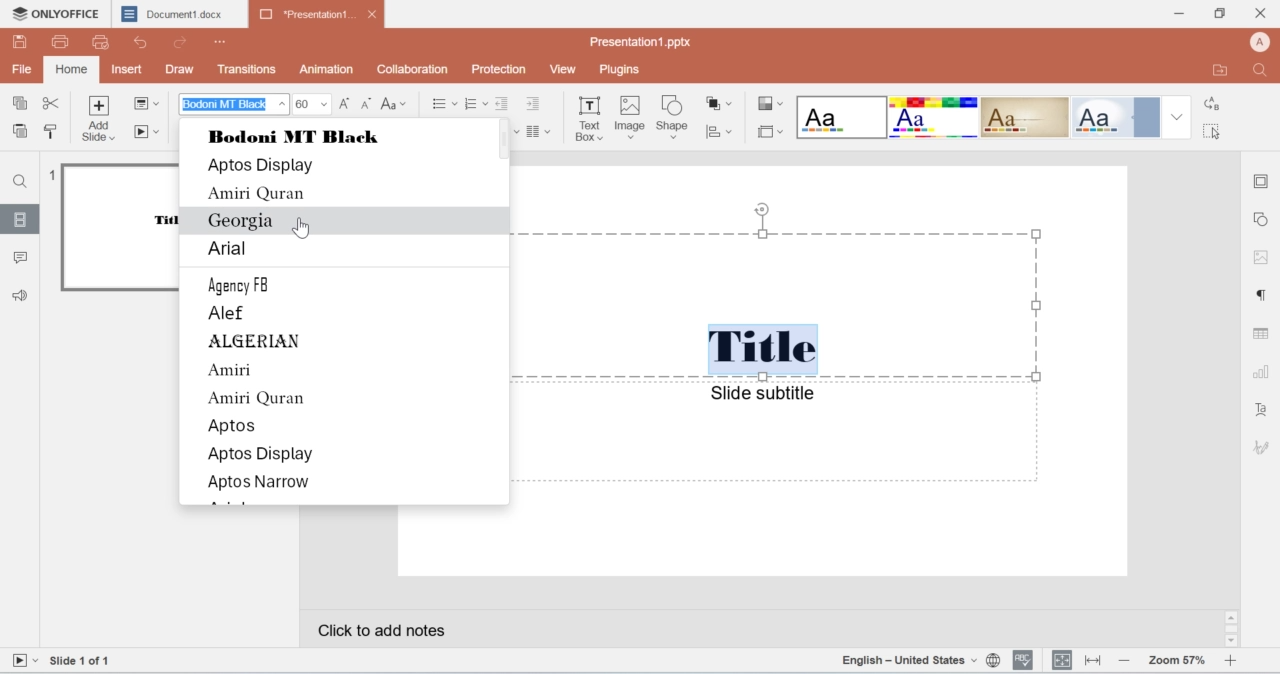  What do you see at coordinates (638, 43) in the screenshot?
I see `name of the presentation` at bounding box center [638, 43].